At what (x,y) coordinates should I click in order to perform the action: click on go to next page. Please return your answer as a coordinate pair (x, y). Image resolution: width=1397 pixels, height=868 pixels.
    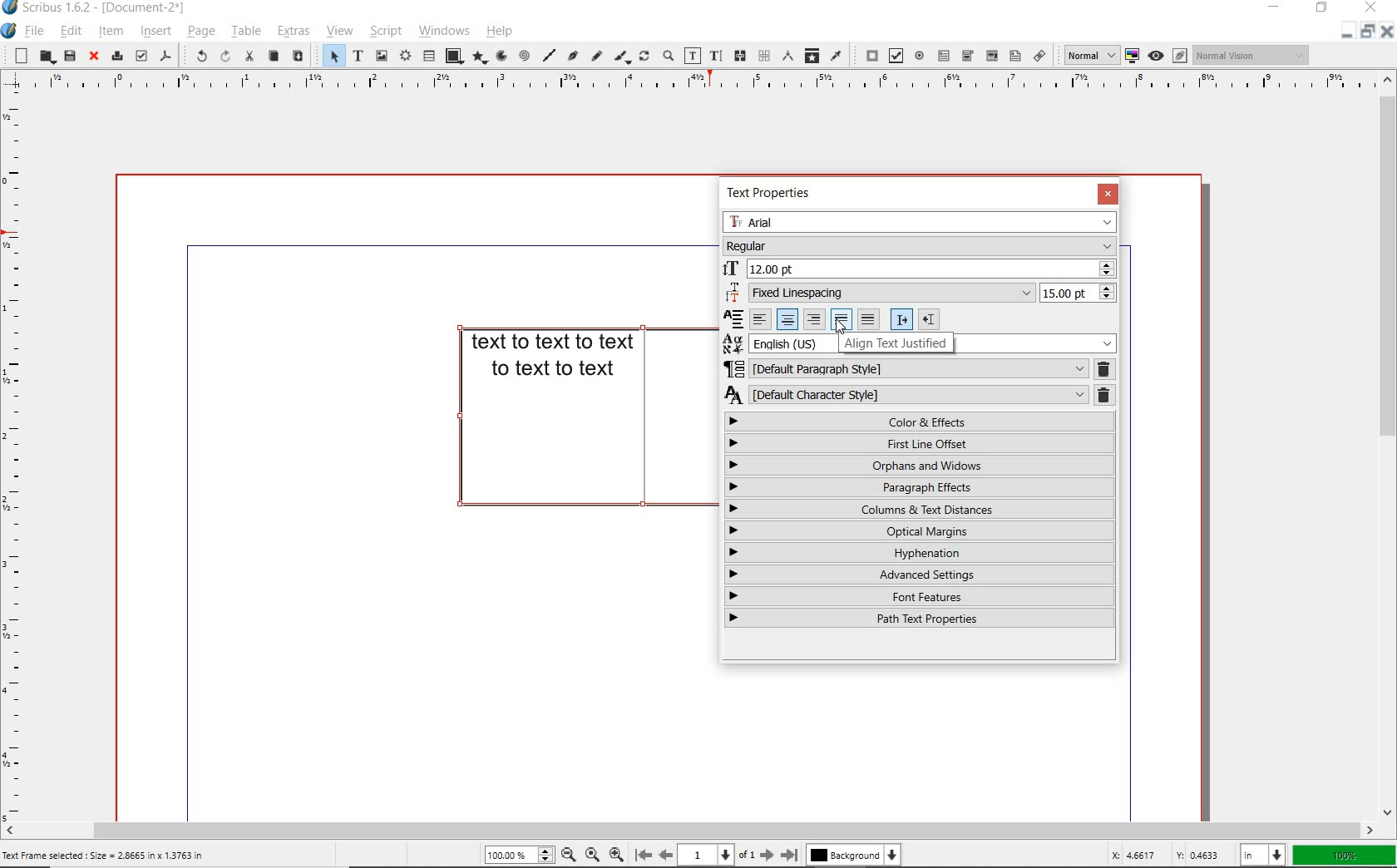
    Looking at the image, I should click on (768, 855).